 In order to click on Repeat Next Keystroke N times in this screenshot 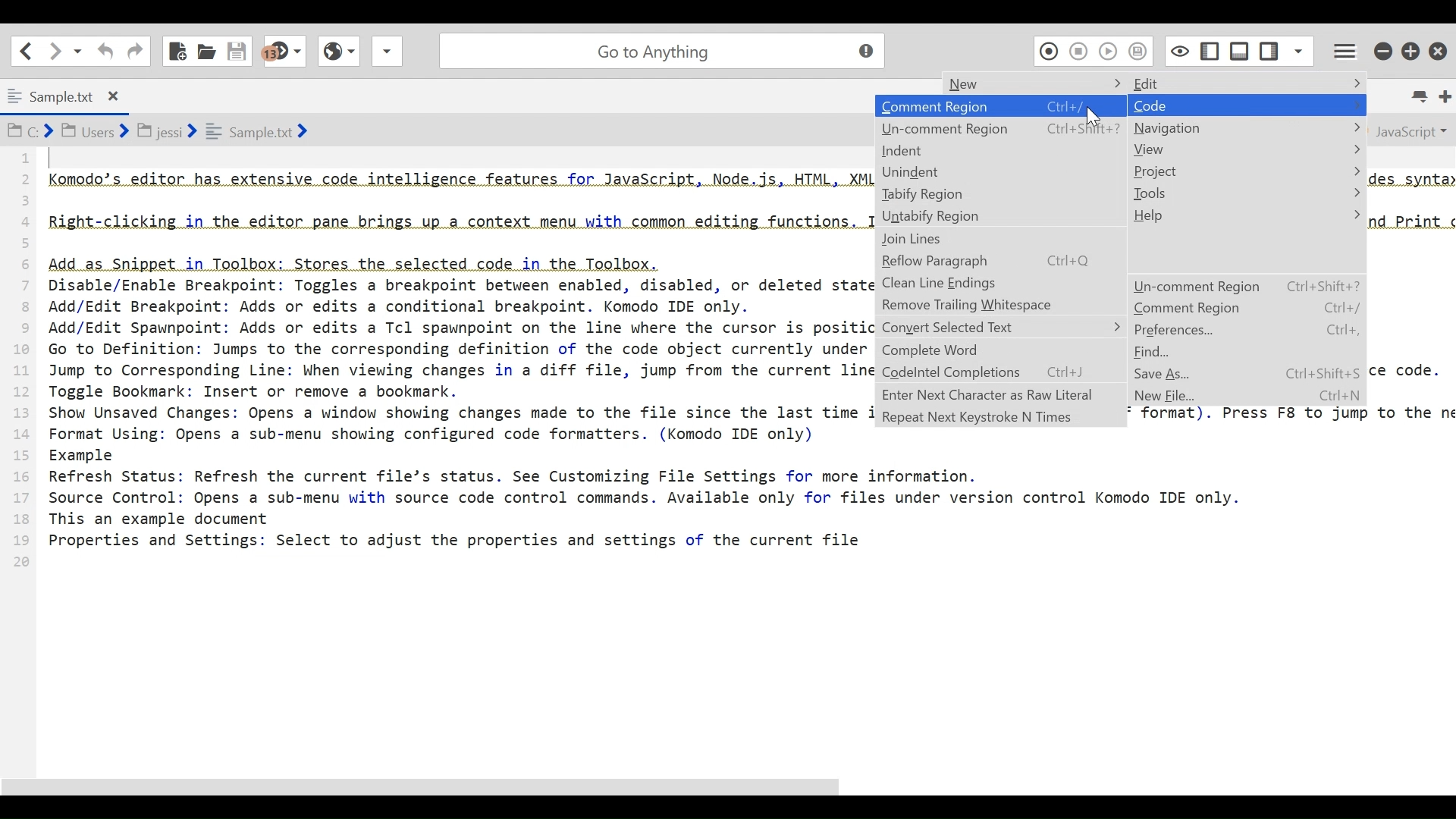, I will do `click(999, 417)`.